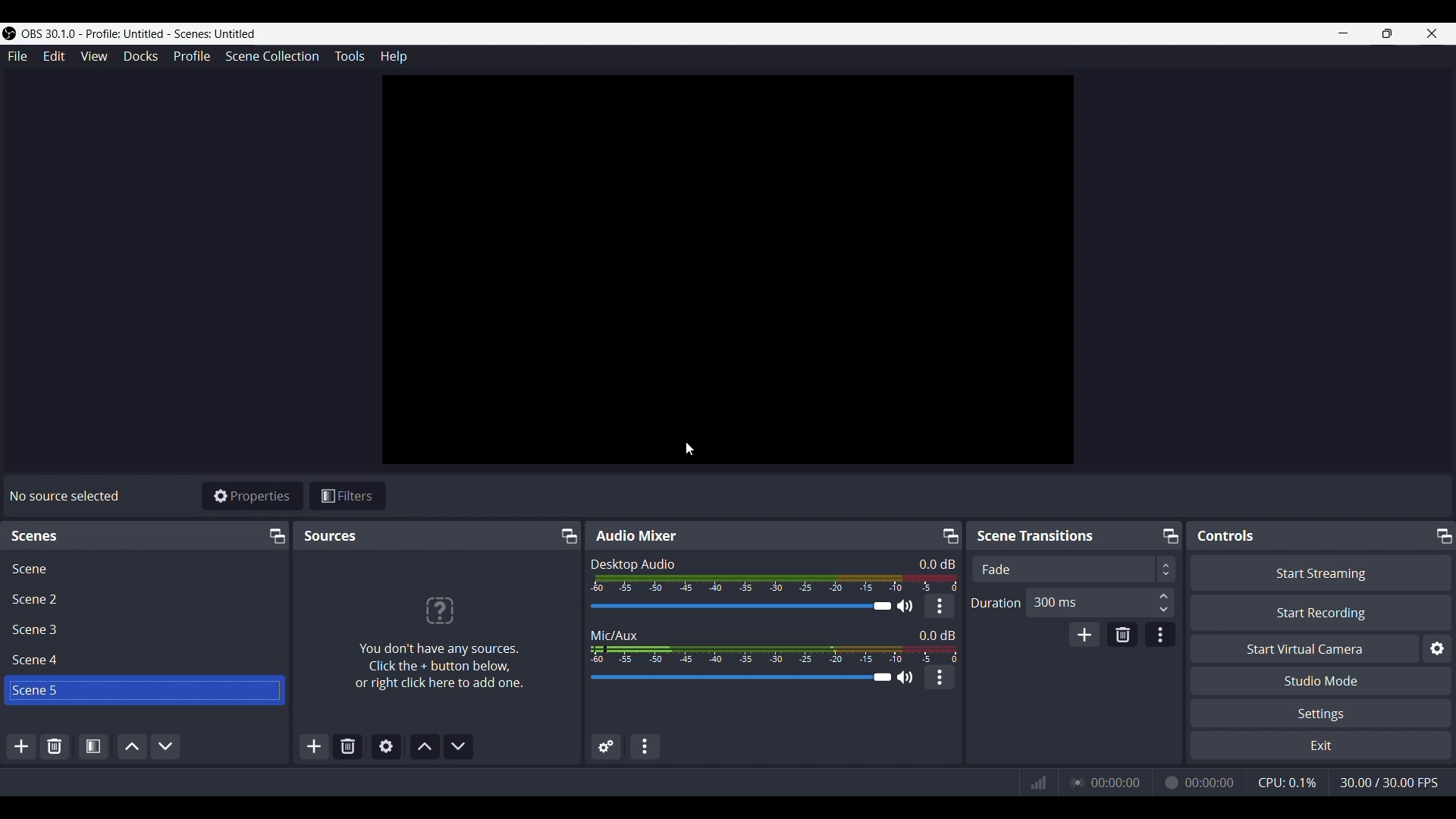 The height and width of the screenshot is (819, 1456). Describe the element at coordinates (637, 536) in the screenshot. I see `Audio Mixer` at that location.